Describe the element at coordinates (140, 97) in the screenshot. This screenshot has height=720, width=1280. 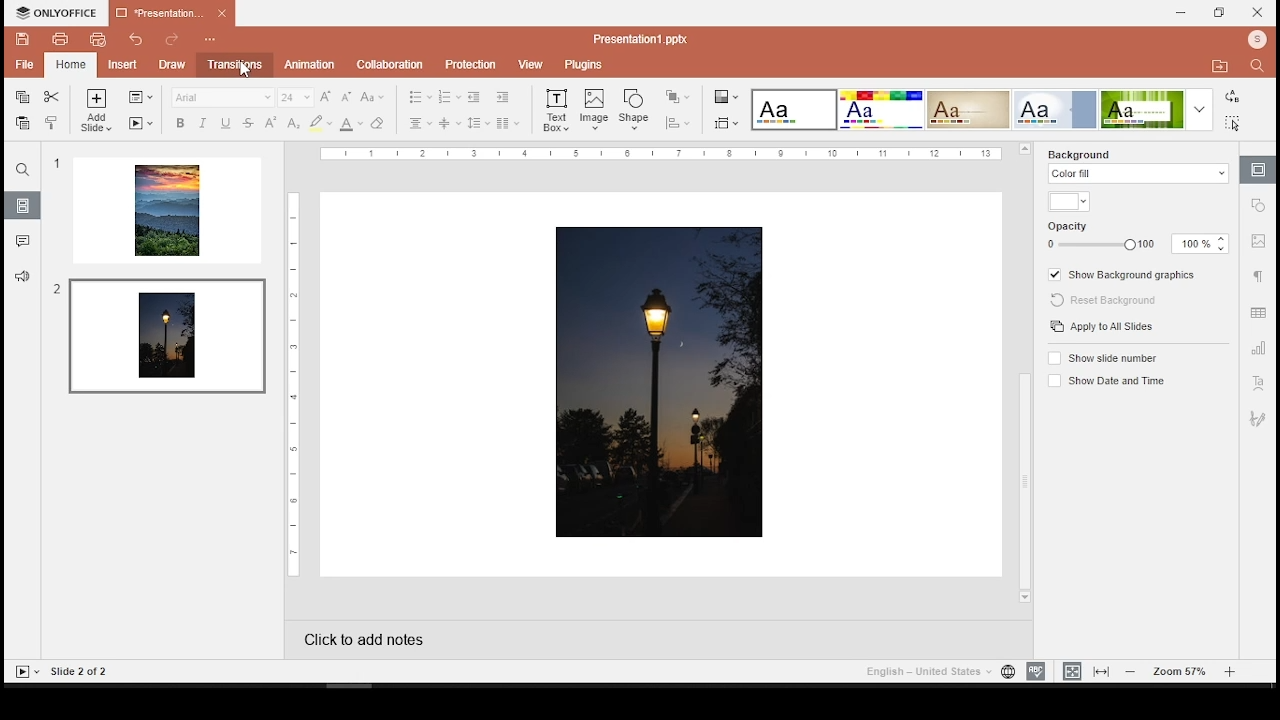
I see `change slide layout` at that location.